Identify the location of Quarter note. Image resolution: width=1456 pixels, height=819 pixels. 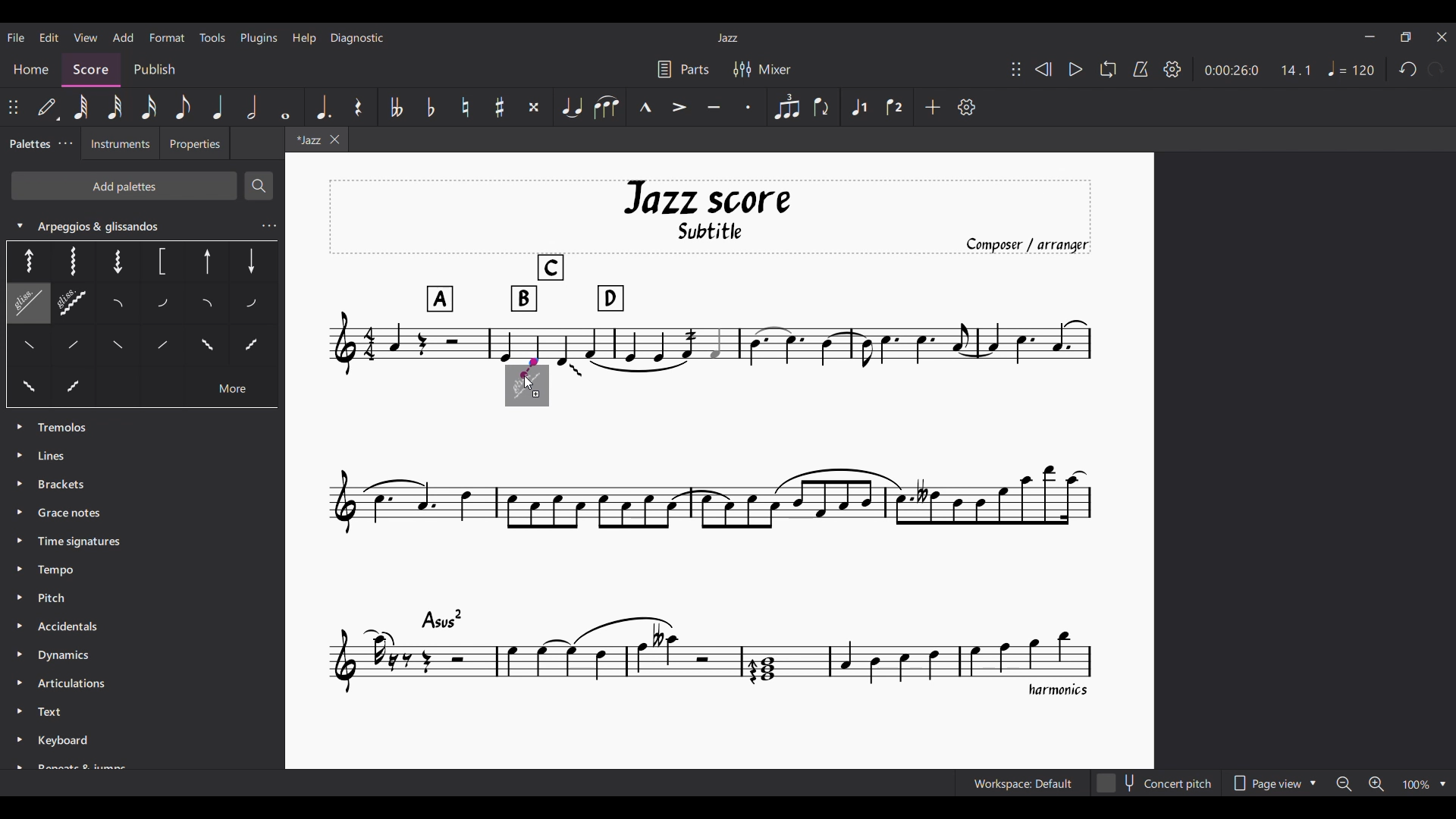
(217, 107).